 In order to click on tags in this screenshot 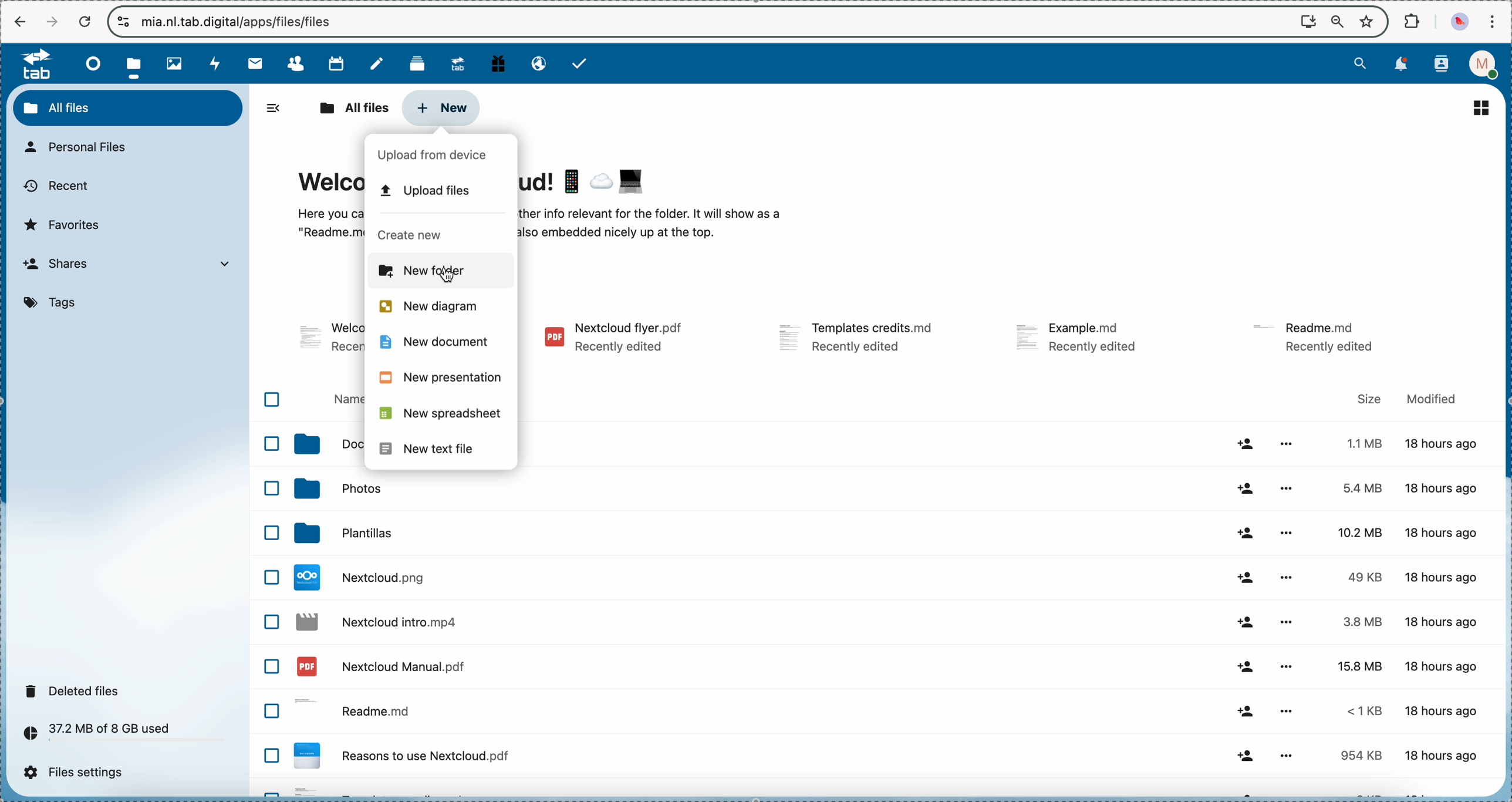, I will do `click(54, 304)`.